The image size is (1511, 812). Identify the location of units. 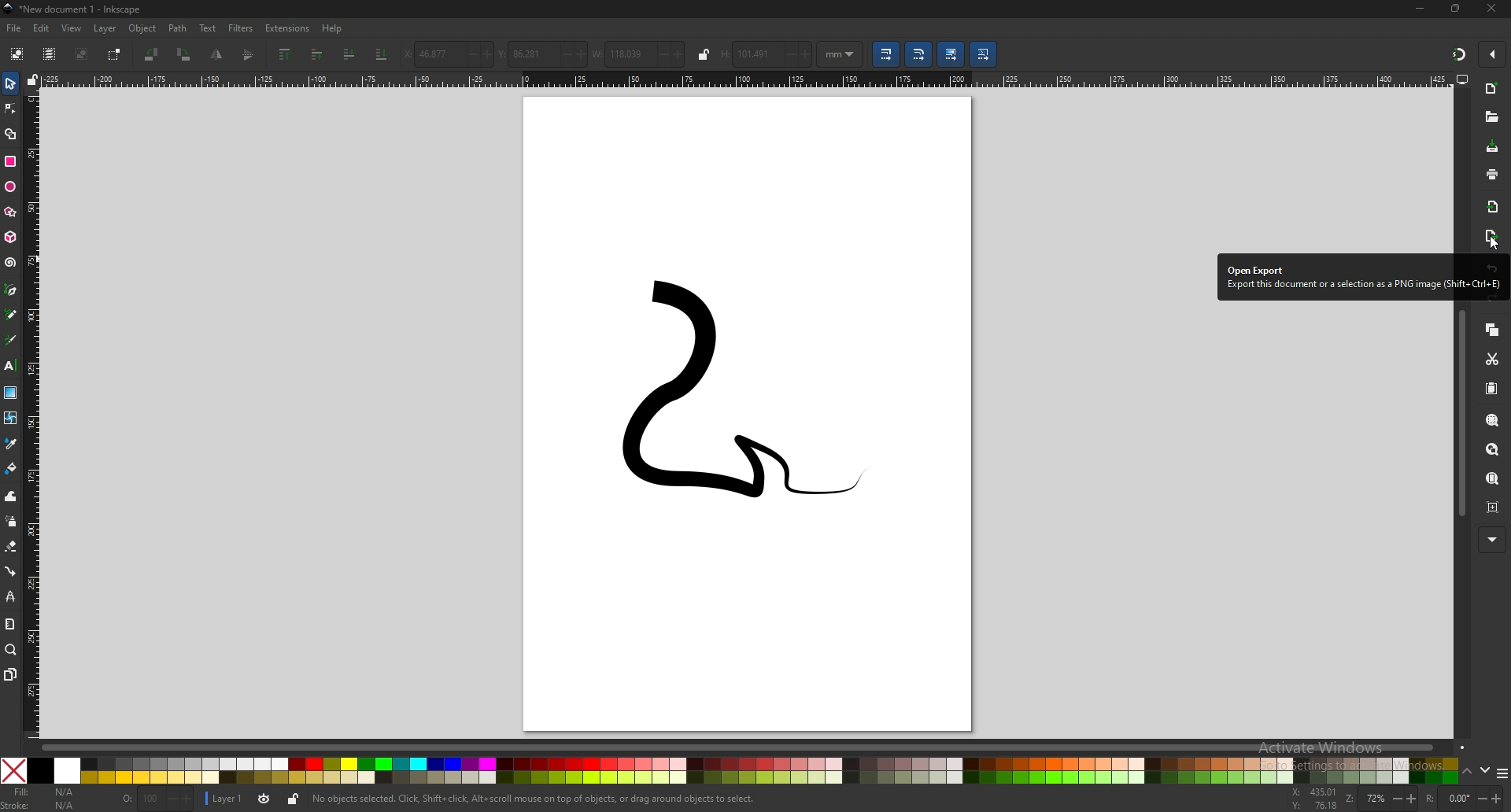
(840, 54).